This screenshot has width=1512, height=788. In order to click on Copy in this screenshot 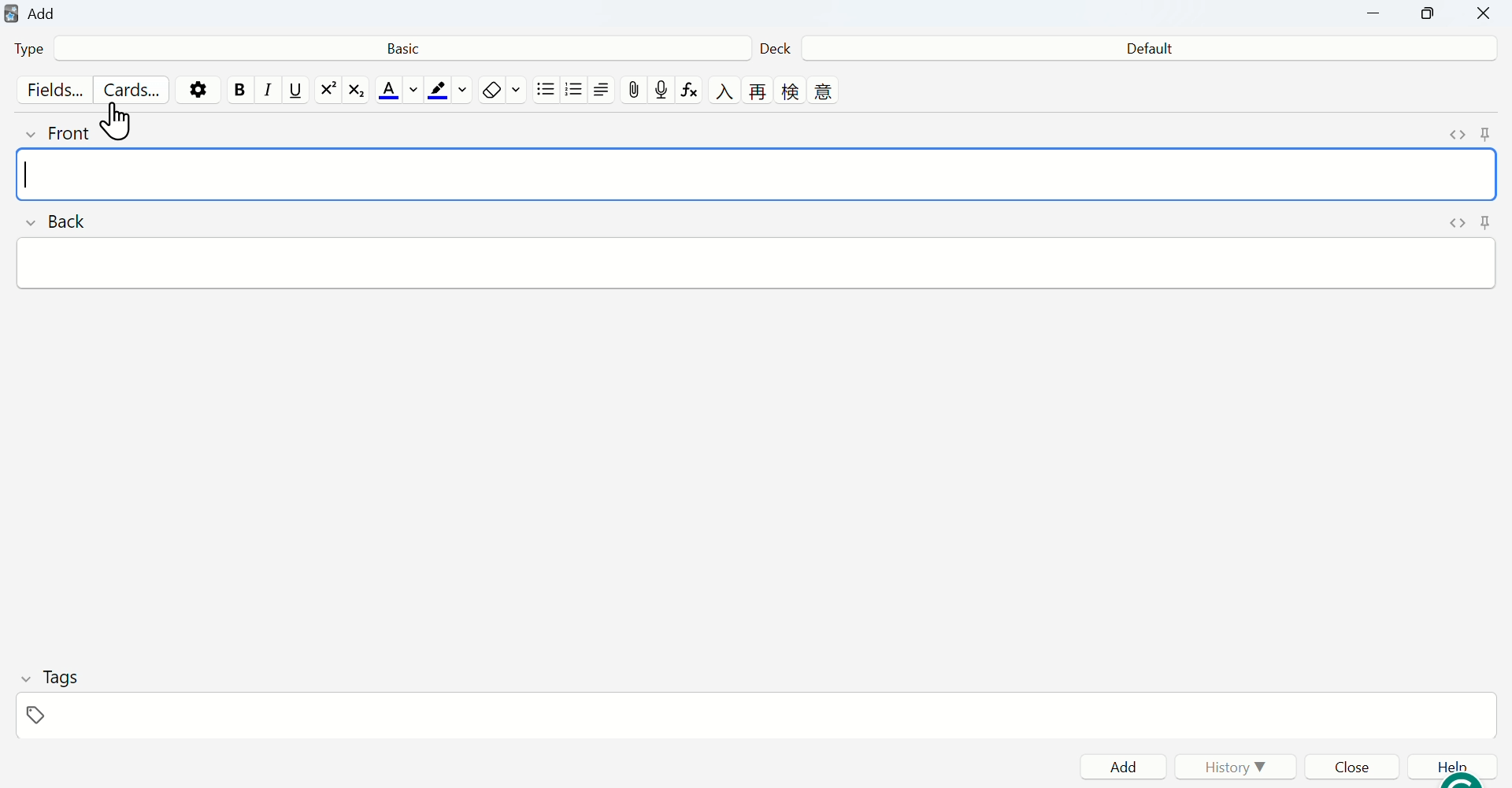, I will do `click(1432, 16)`.